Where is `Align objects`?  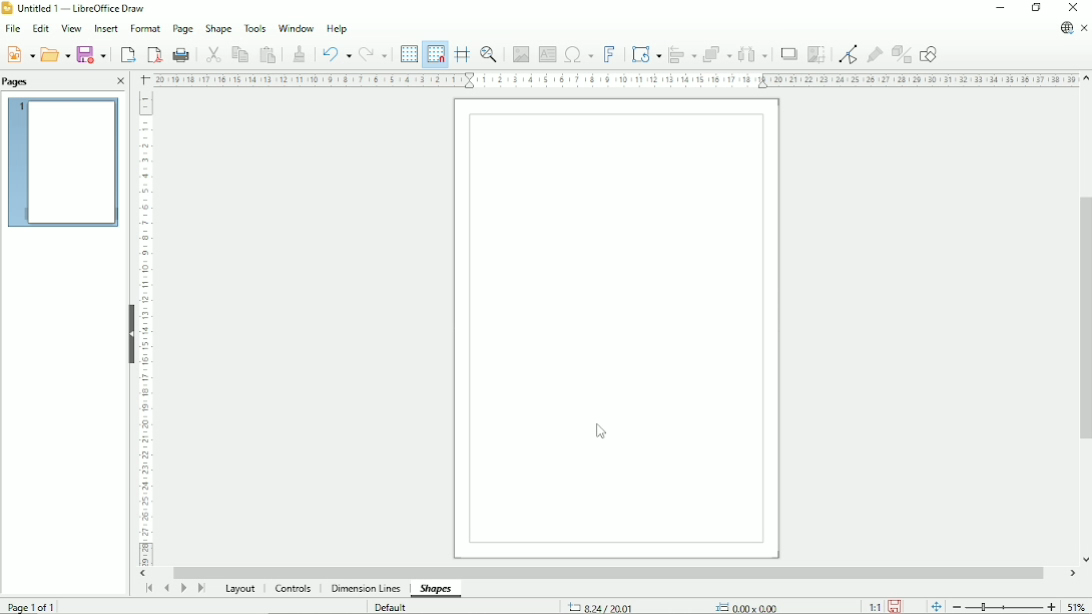
Align objects is located at coordinates (682, 53).